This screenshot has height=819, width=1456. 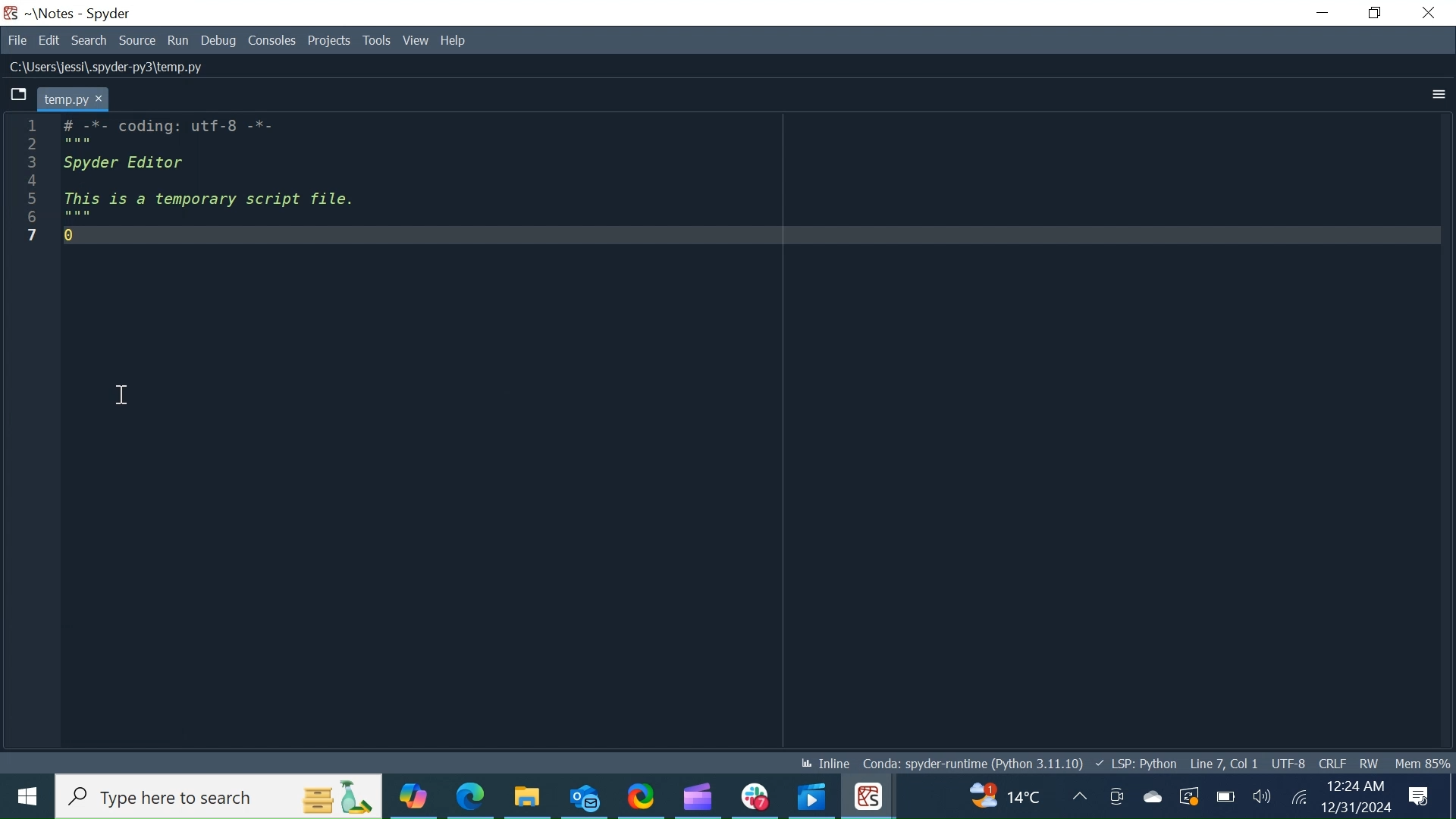 I want to click on Slack Desktop Icon, so click(x=755, y=795).